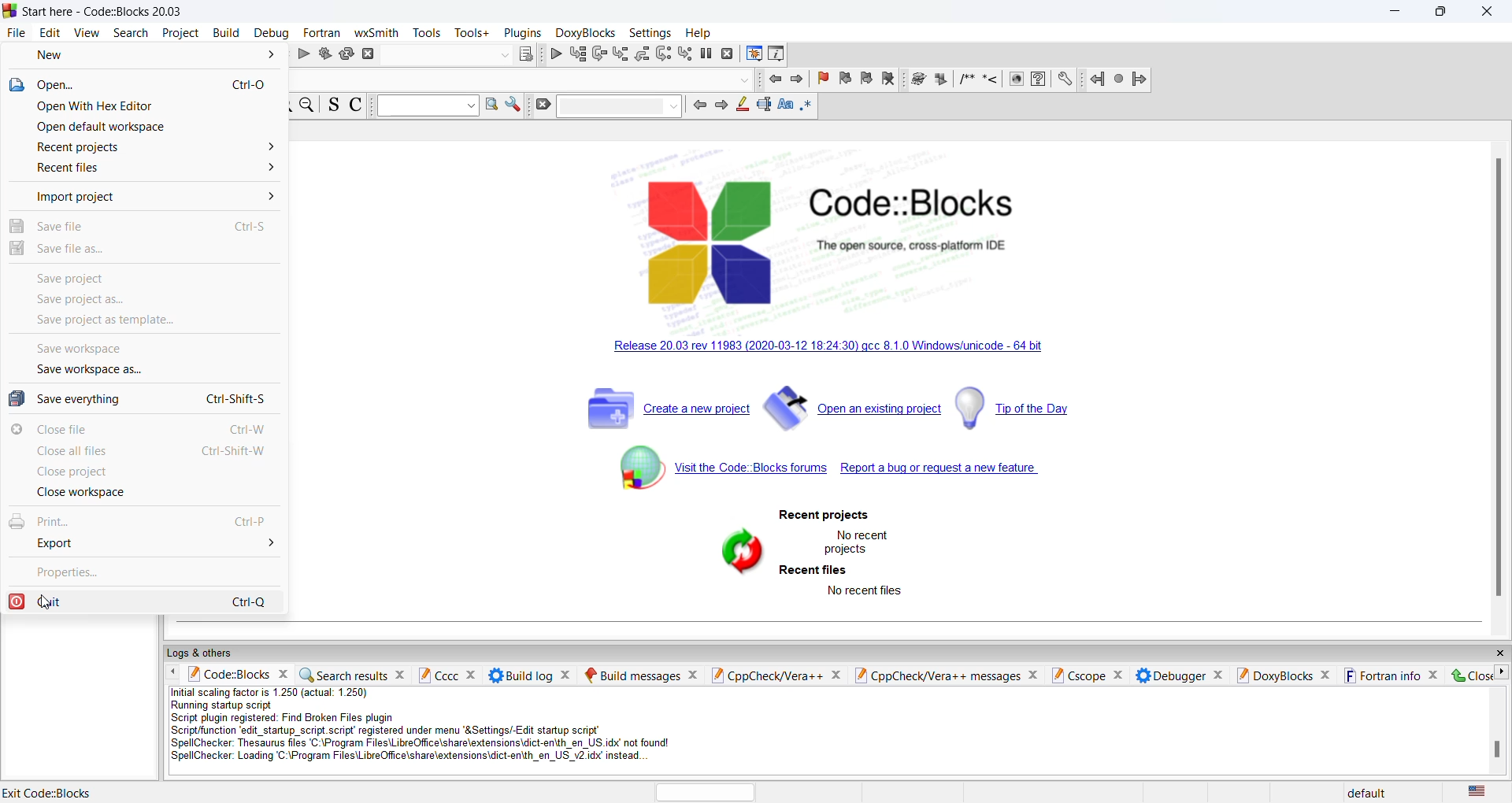  I want to click on option window, so click(491, 105).